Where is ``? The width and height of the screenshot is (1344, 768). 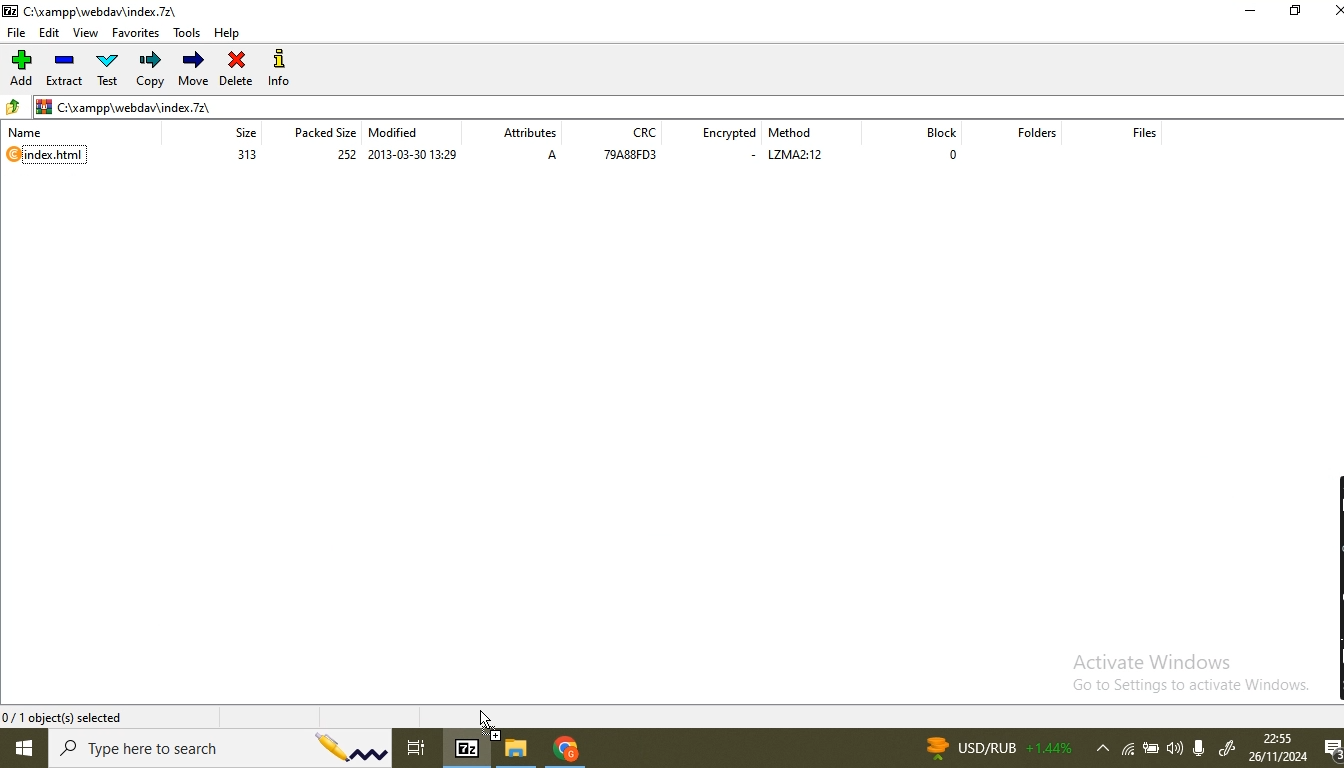  is located at coordinates (703, 119).